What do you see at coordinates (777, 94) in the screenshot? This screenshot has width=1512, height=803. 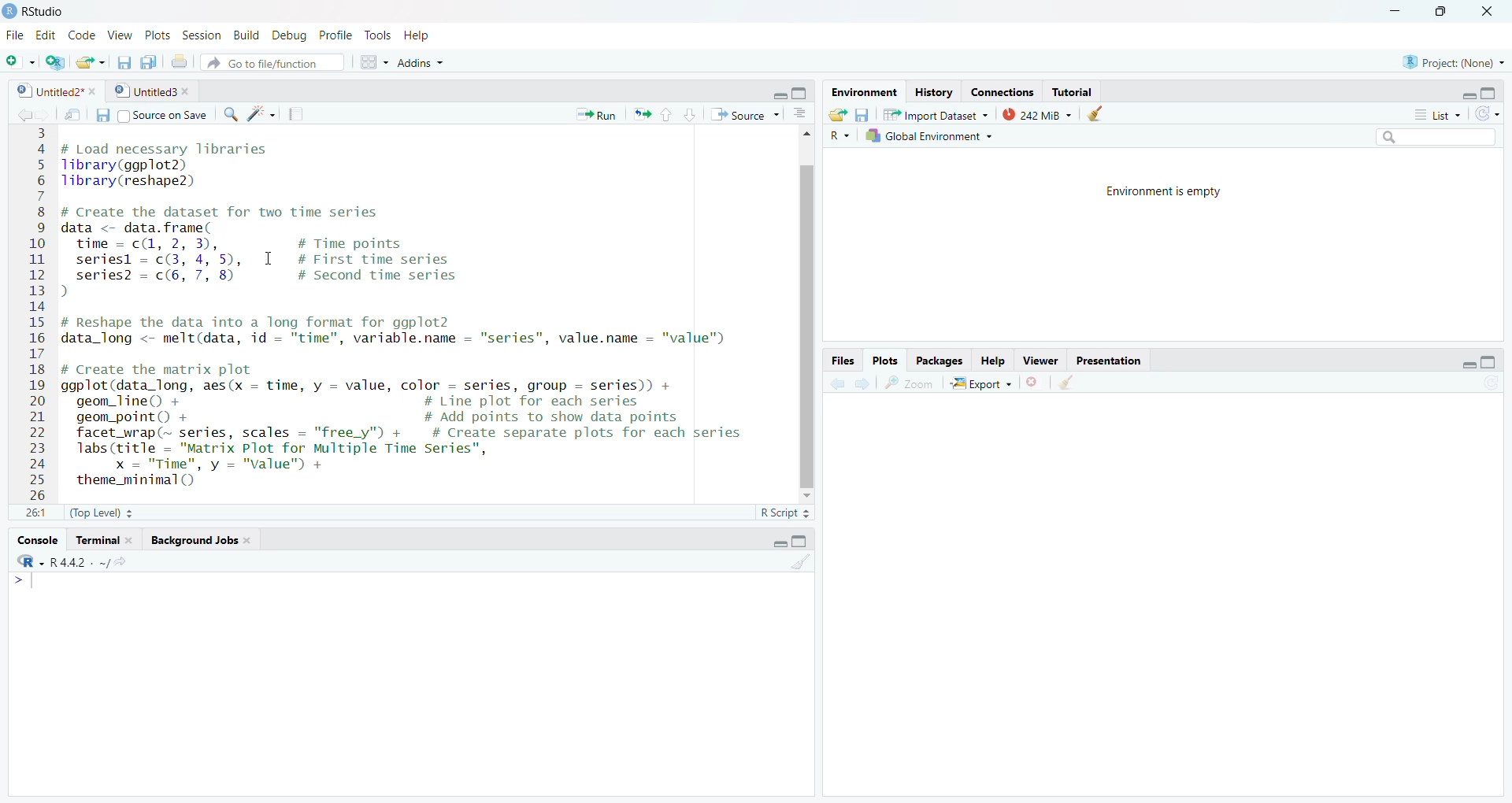 I see `minimize` at bounding box center [777, 94].